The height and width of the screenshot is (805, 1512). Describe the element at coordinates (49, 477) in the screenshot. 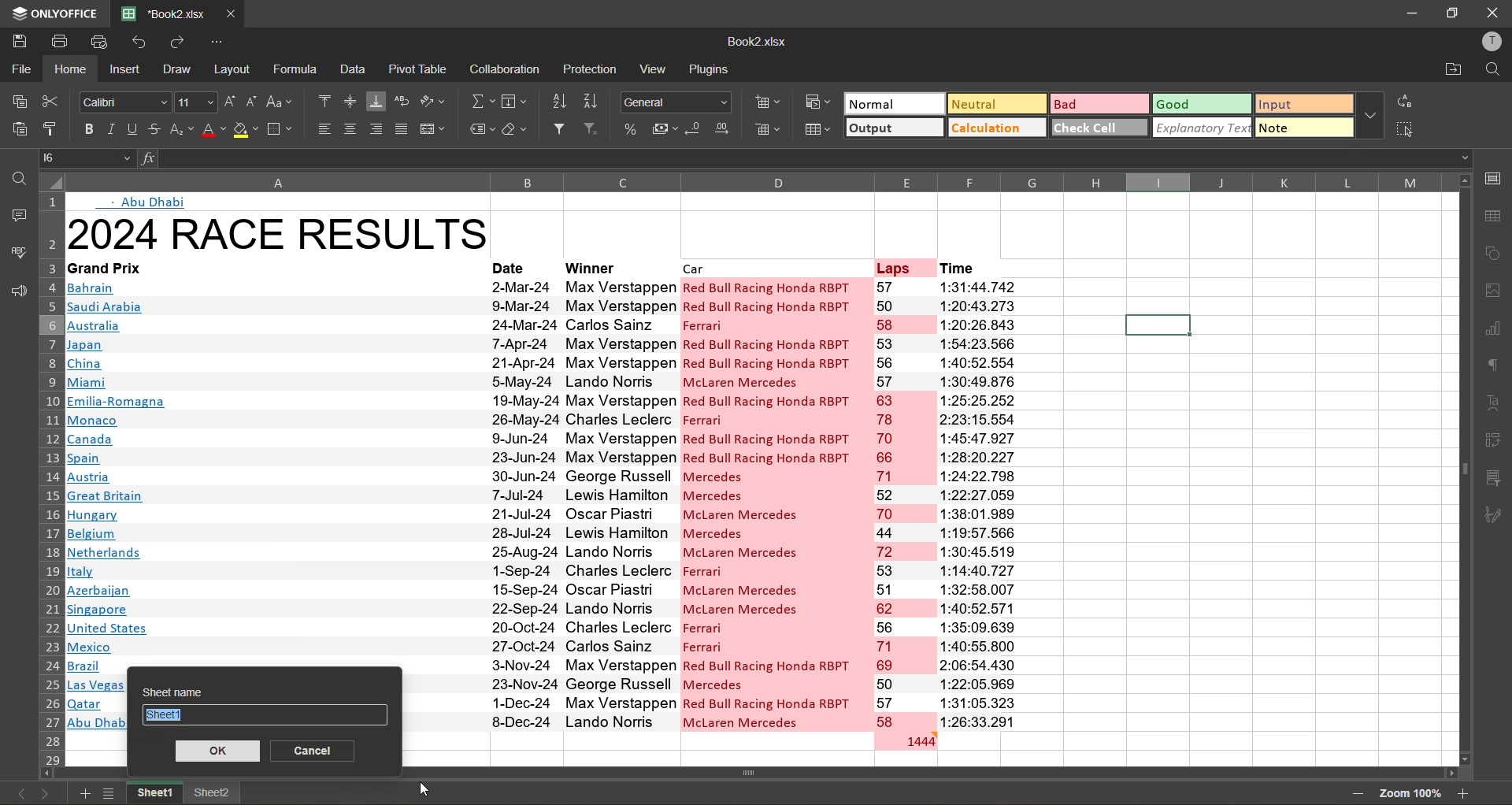

I see `row numbers` at that location.